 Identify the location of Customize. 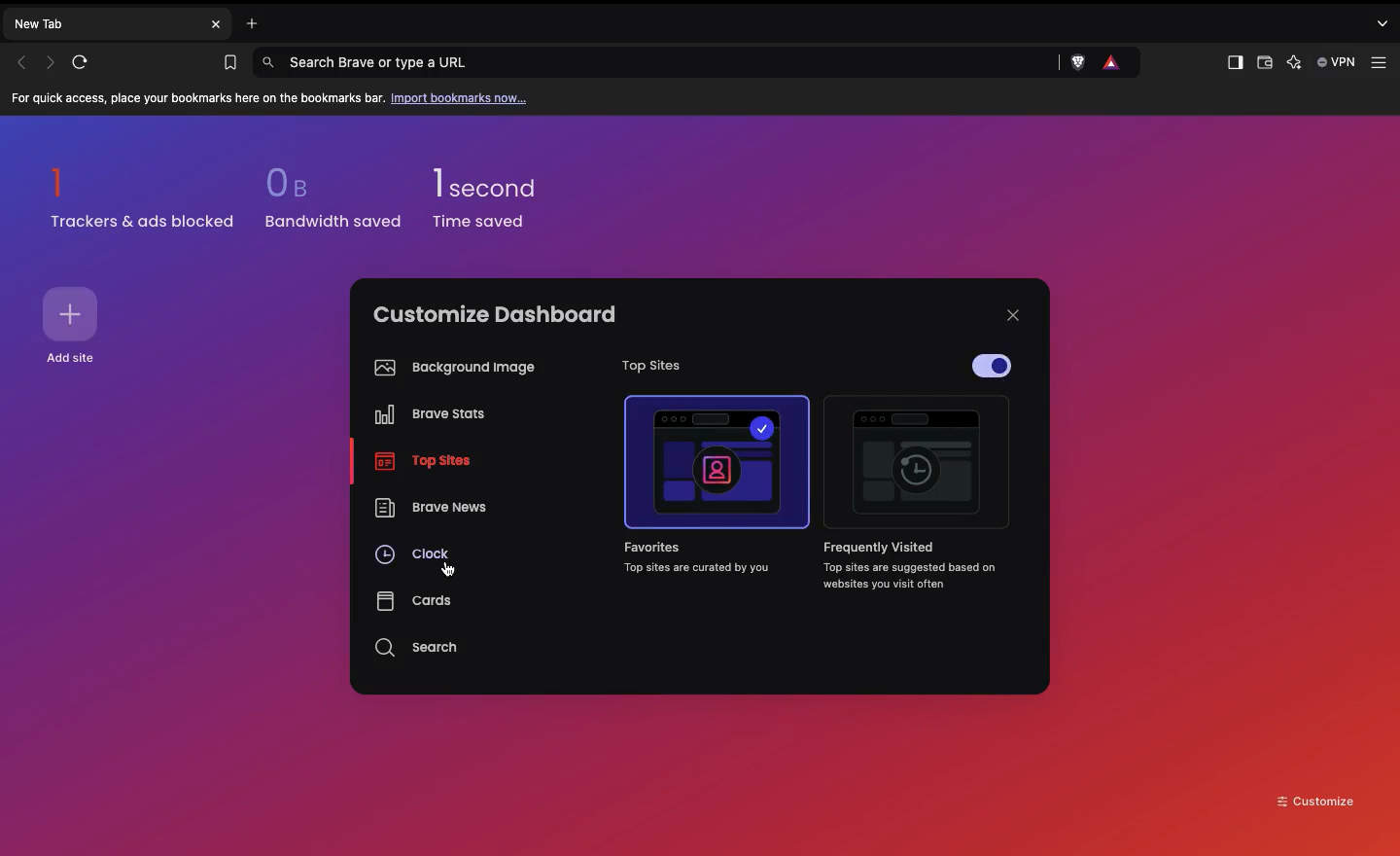
(1316, 800).